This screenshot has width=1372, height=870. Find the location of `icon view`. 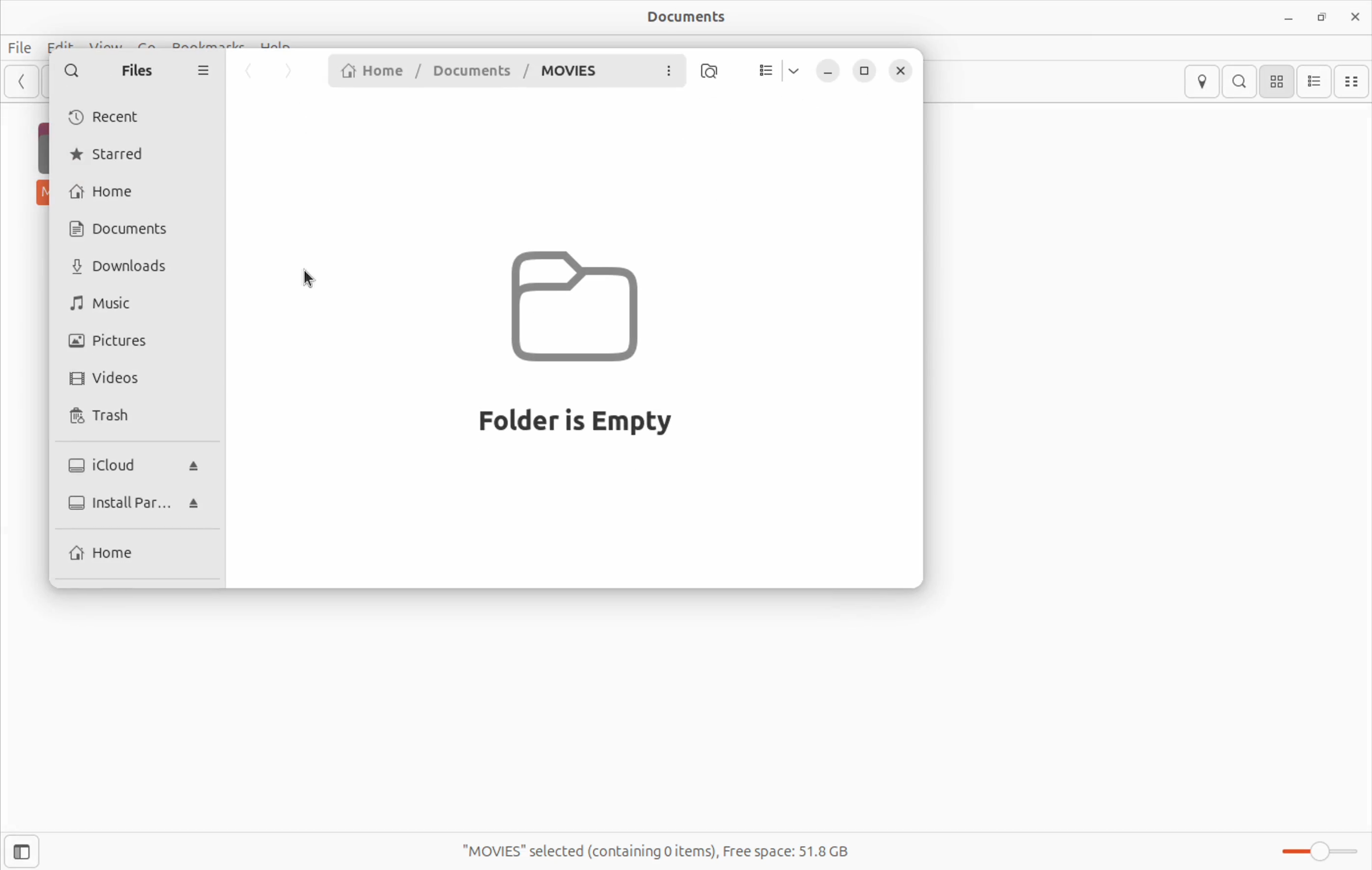

icon view is located at coordinates (1277, 81).